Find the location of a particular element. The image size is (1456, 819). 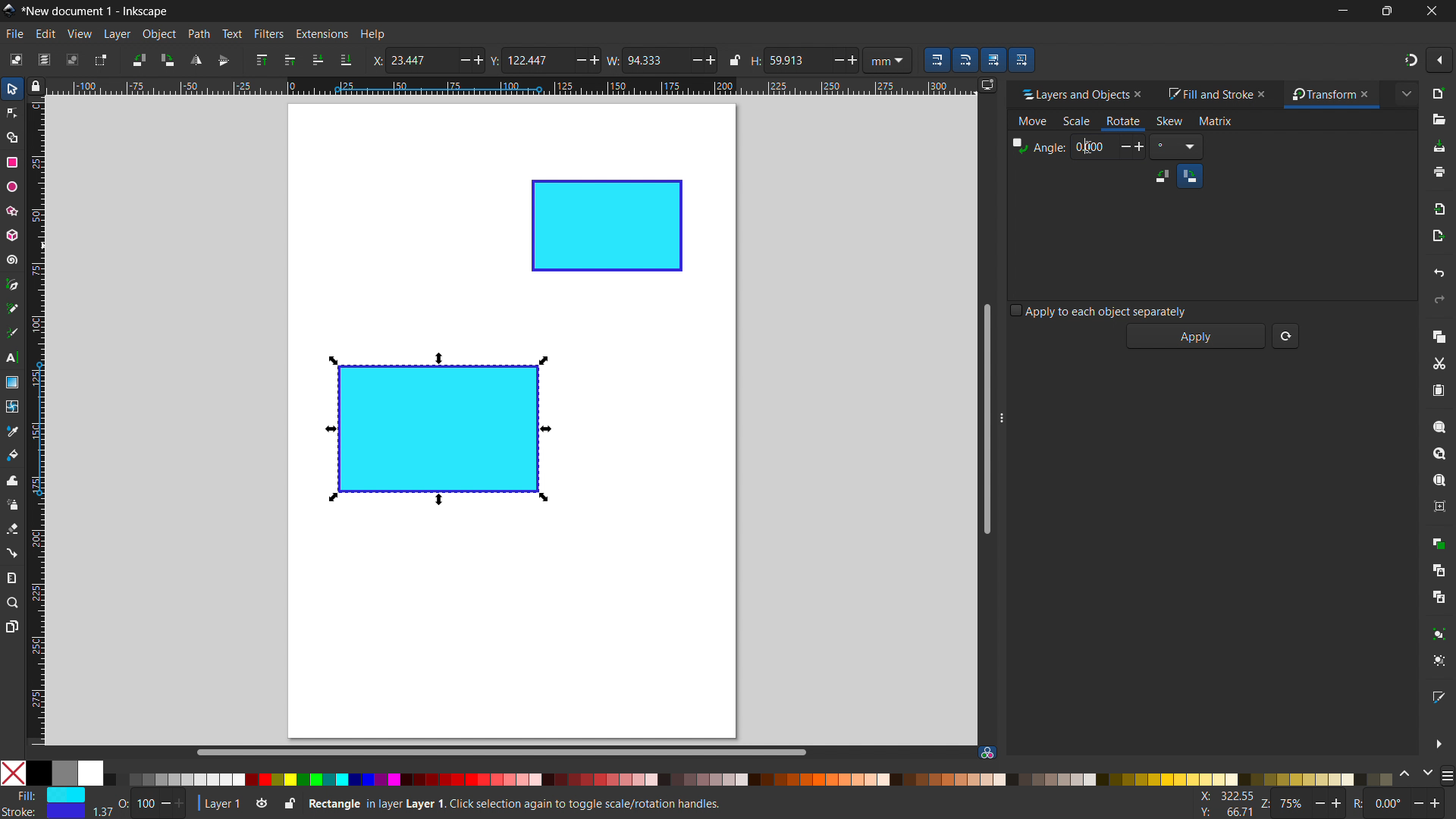

W: 94.333 is located at coordinates (643, 59).